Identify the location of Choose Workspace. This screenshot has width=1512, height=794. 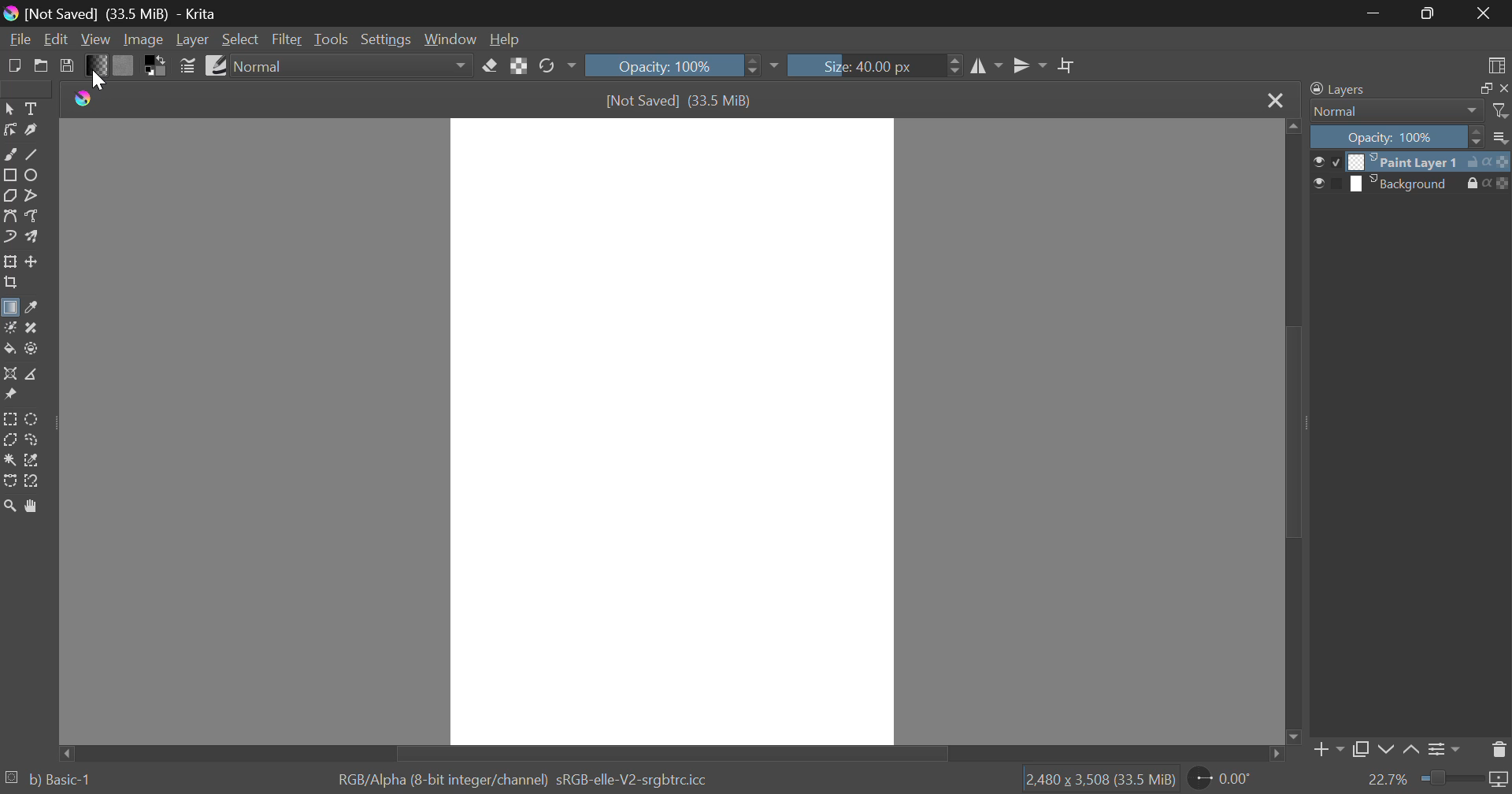
(1494, 62).